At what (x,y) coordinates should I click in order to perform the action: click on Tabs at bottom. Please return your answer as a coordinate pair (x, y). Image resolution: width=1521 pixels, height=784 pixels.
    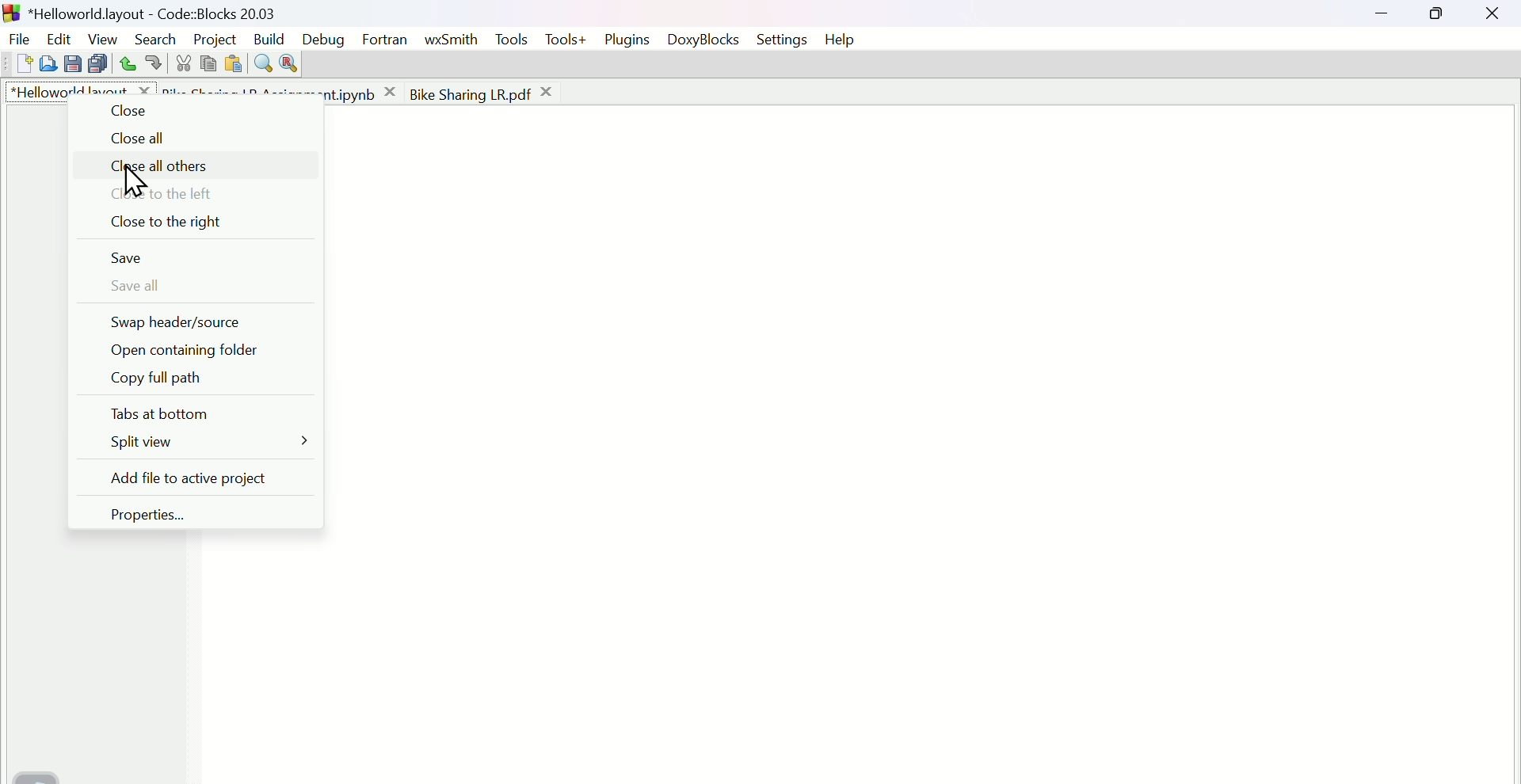
    Looking at the image, I should click on (159, 414).